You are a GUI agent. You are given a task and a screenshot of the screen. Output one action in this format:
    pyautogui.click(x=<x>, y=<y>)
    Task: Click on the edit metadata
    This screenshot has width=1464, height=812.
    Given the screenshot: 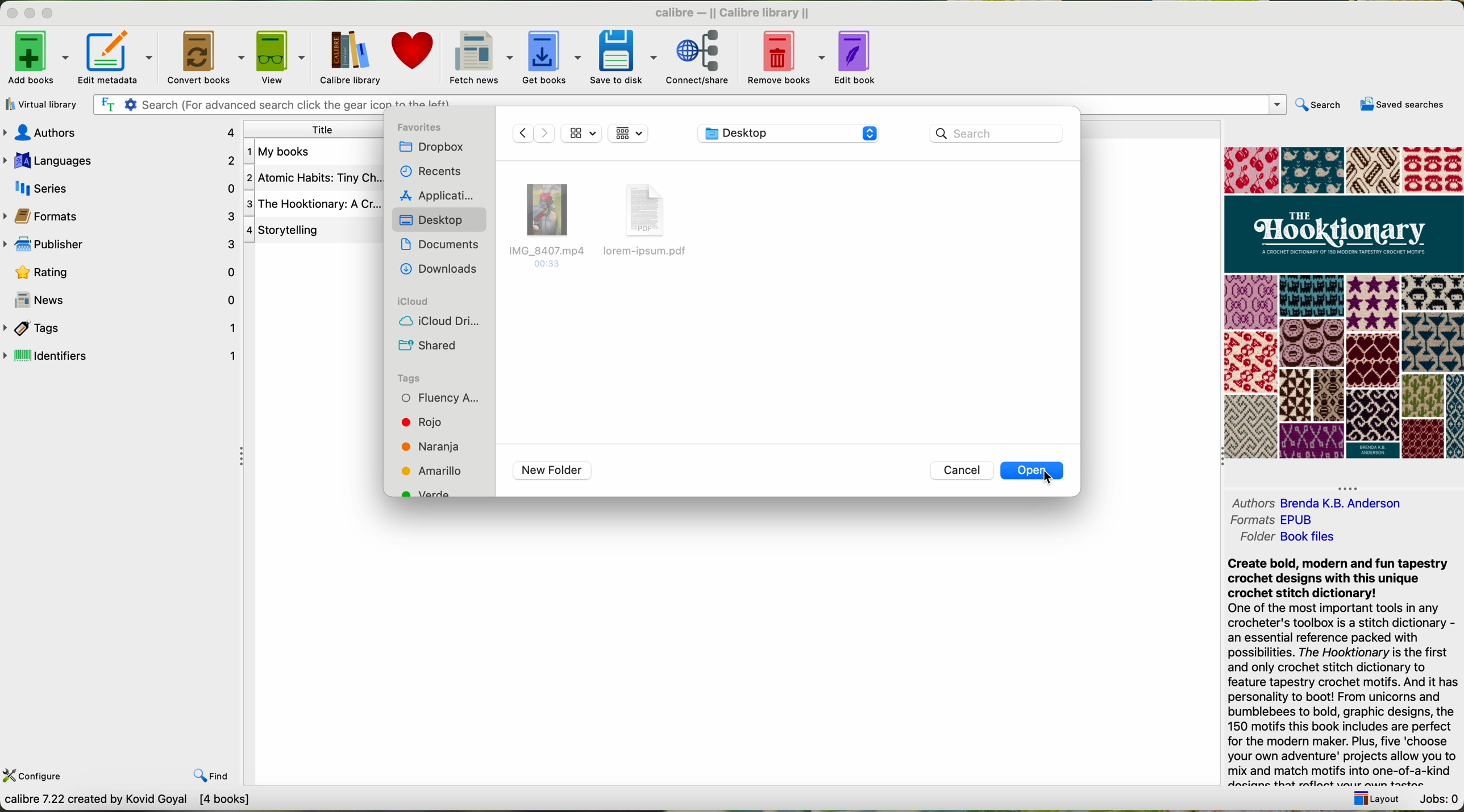 What is the action you would take?
    pyautogui.click(x=116, y=58)
    